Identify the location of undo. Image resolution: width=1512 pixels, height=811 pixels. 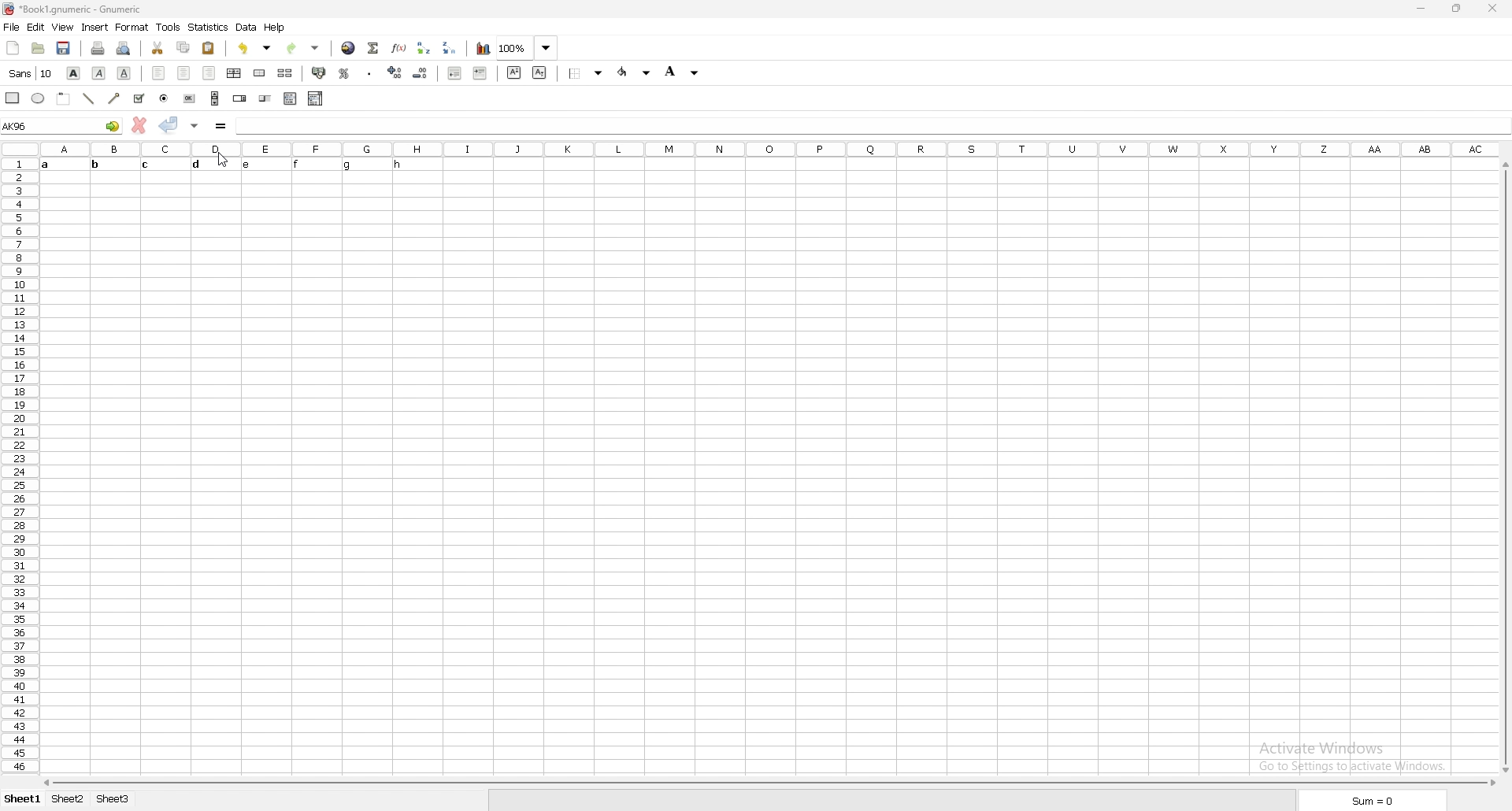
(255, 48).